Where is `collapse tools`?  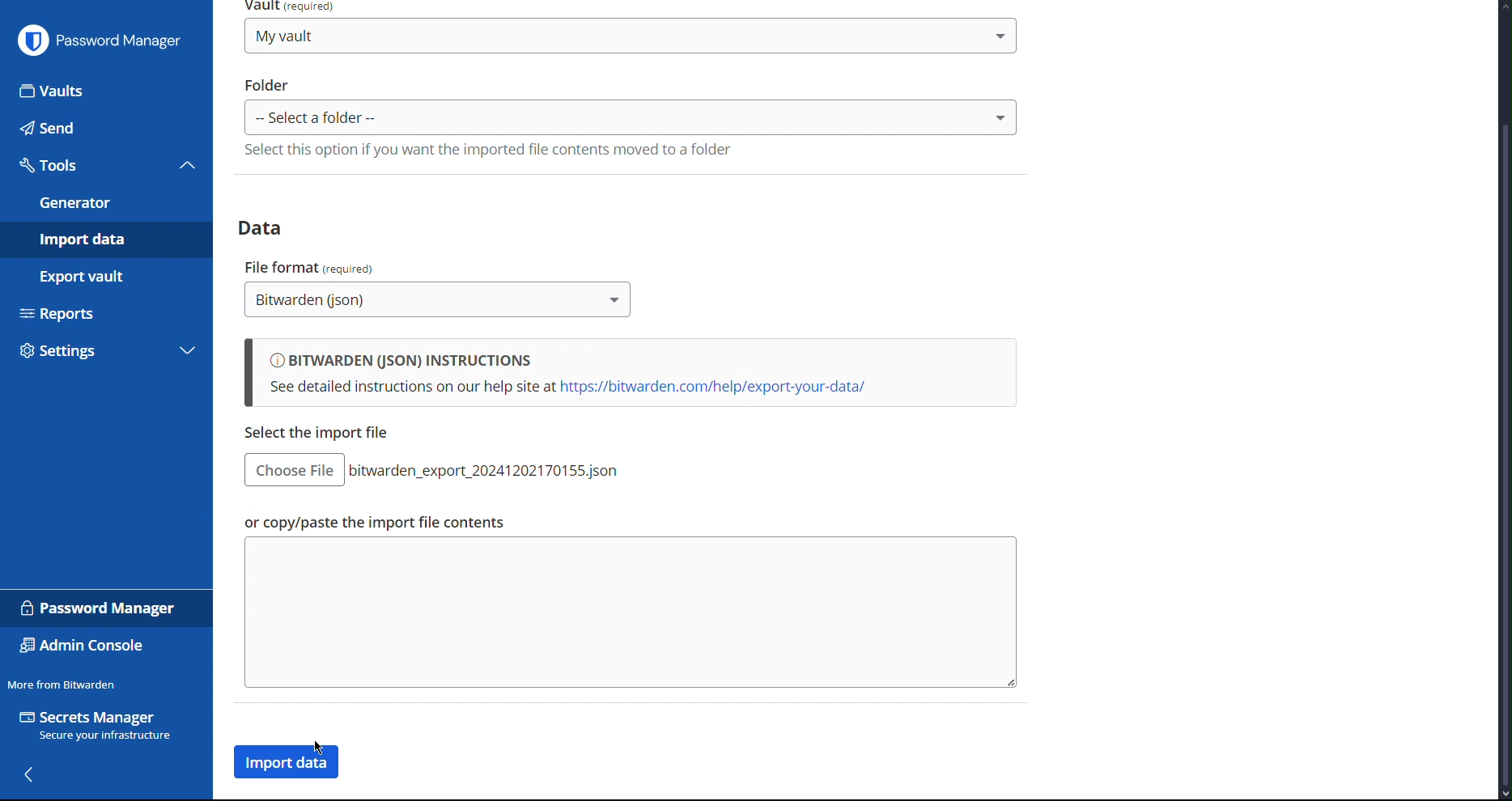 collapse tools is located at coordinates (188, 164).